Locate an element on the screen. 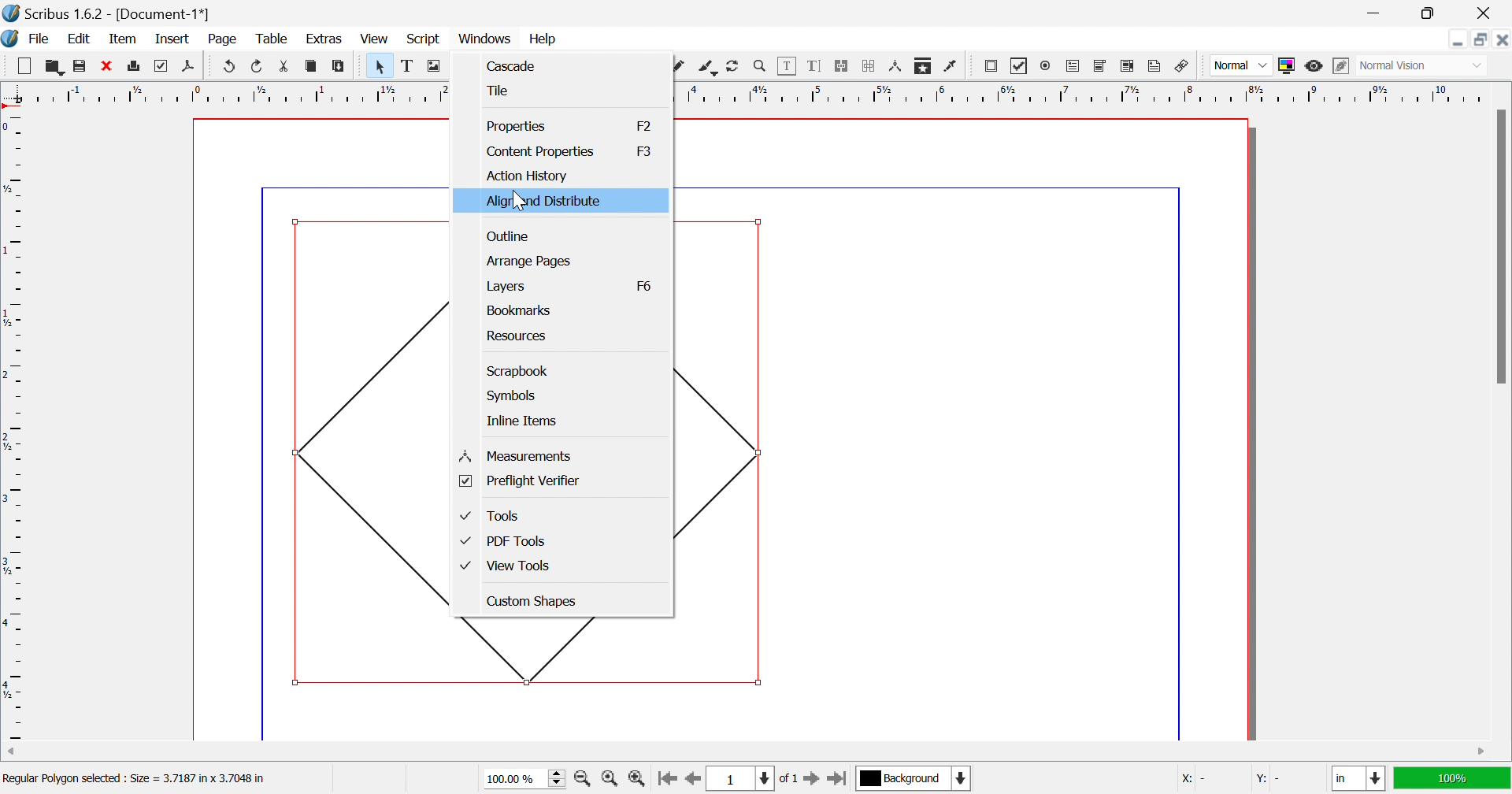 This screenshot has width=1512, height=794. Custom shapes is located at coordinates (534, 600).